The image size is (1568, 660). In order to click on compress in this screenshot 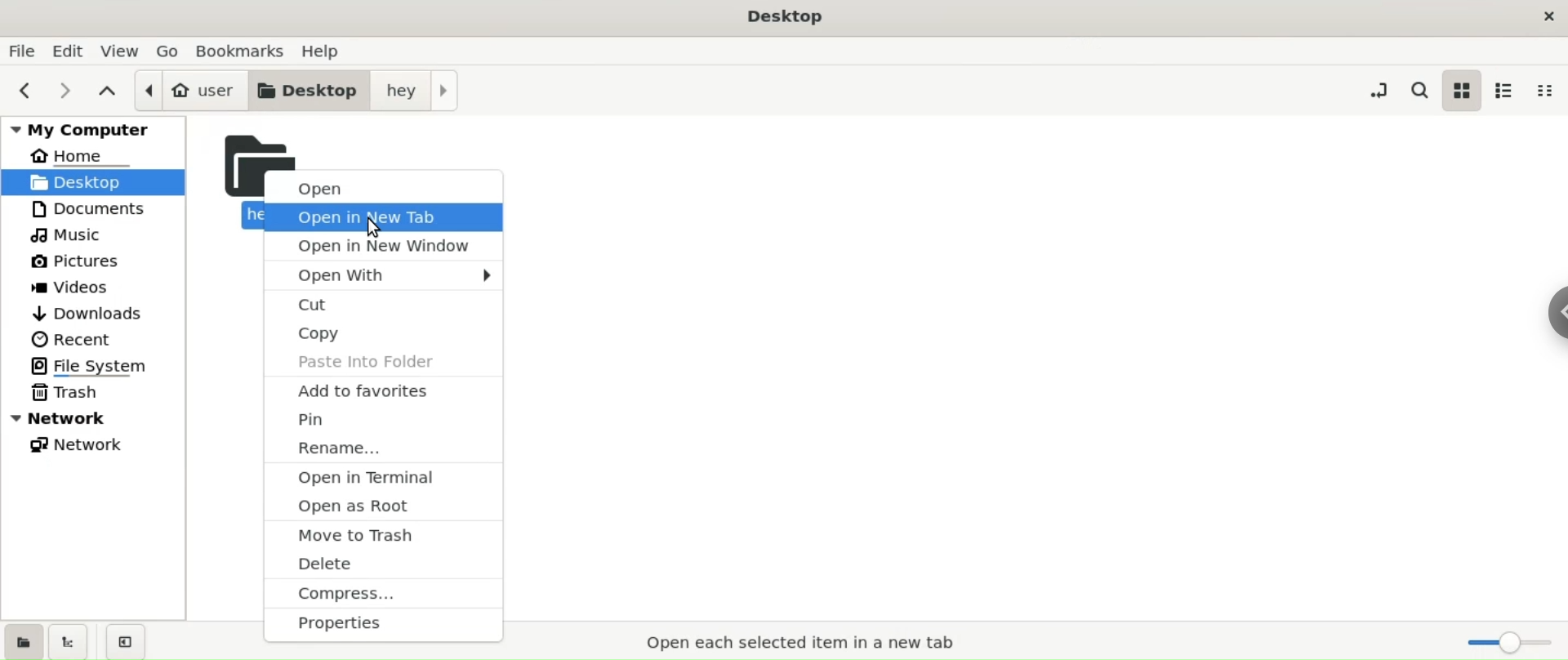, I will do `click(383, 594)`.